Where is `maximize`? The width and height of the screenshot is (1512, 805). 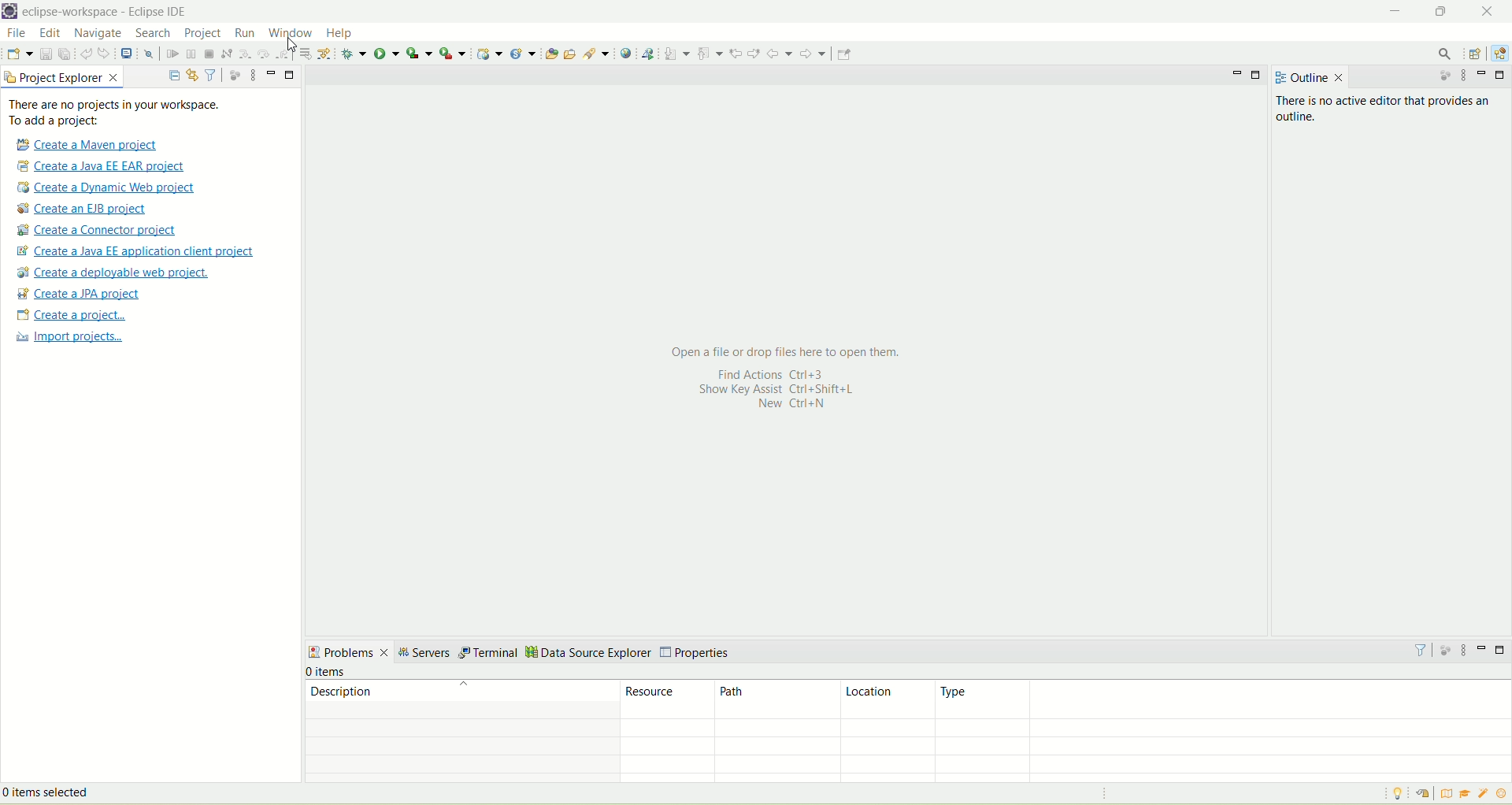
maximize is located at coordinates (1503, 76).